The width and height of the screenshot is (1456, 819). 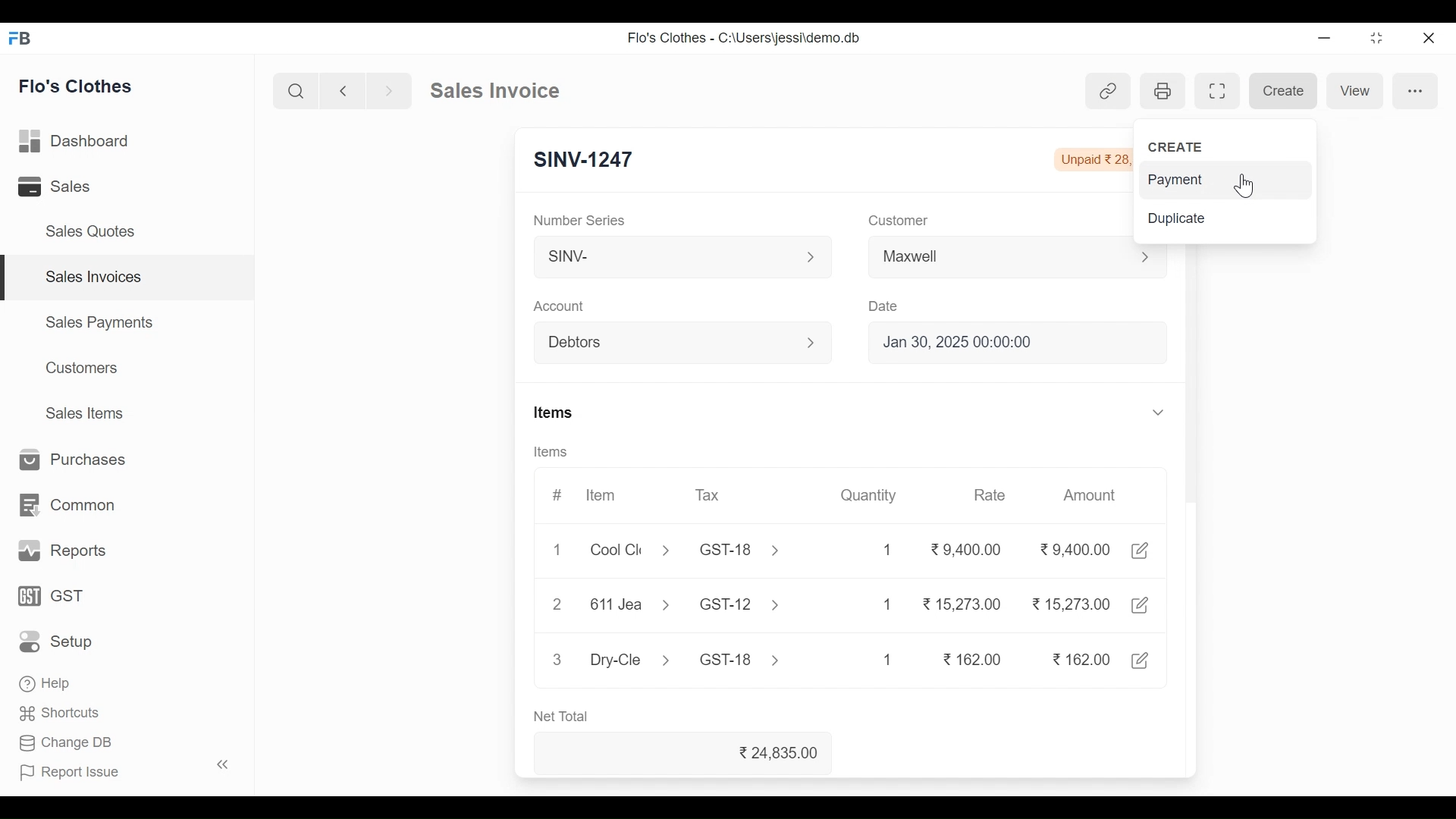 What do you see at coordinates (1354, 91) in the screenshot?
I see `View` at bounding box center [1354, 91].